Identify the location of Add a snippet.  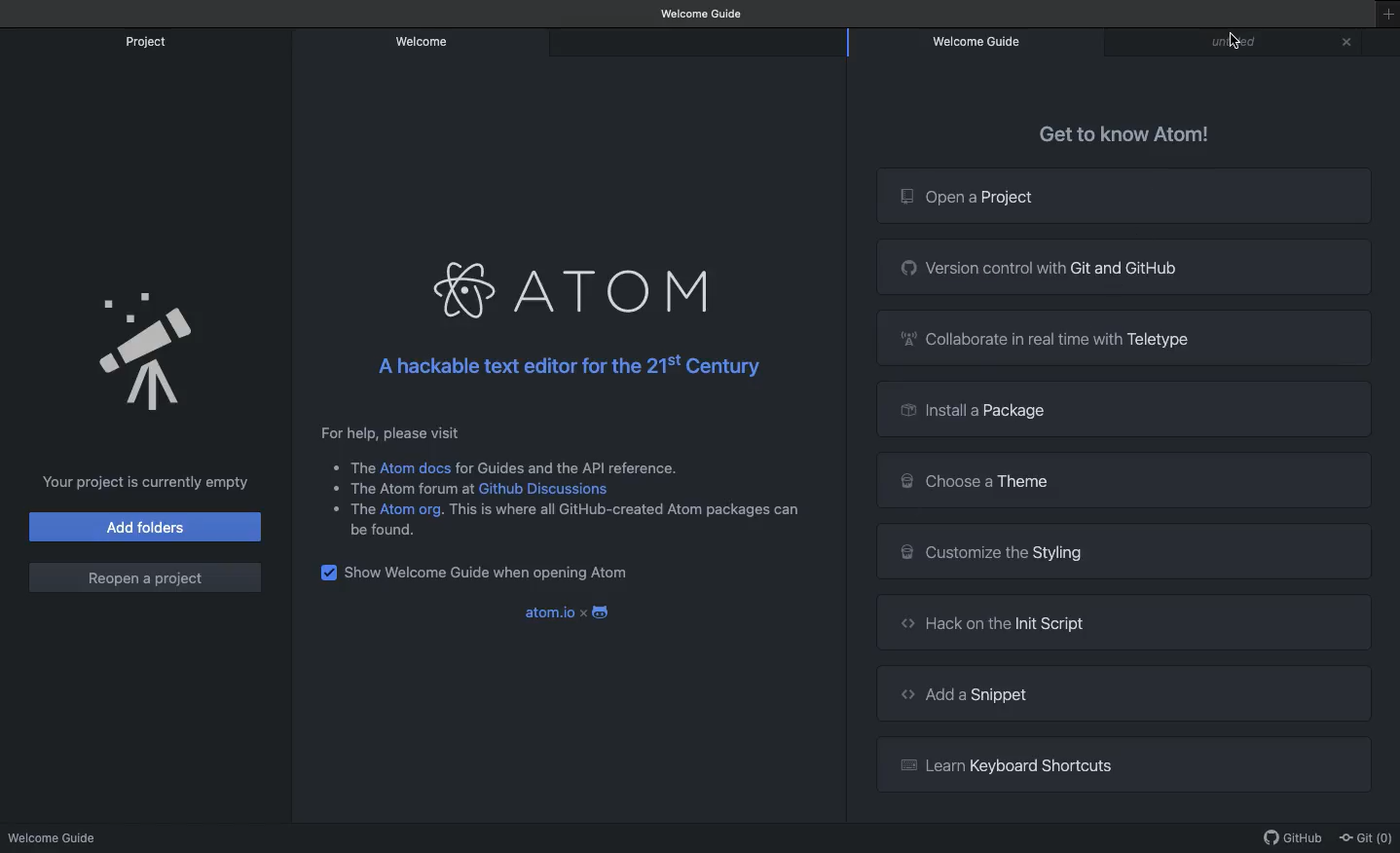
(1147, 692).